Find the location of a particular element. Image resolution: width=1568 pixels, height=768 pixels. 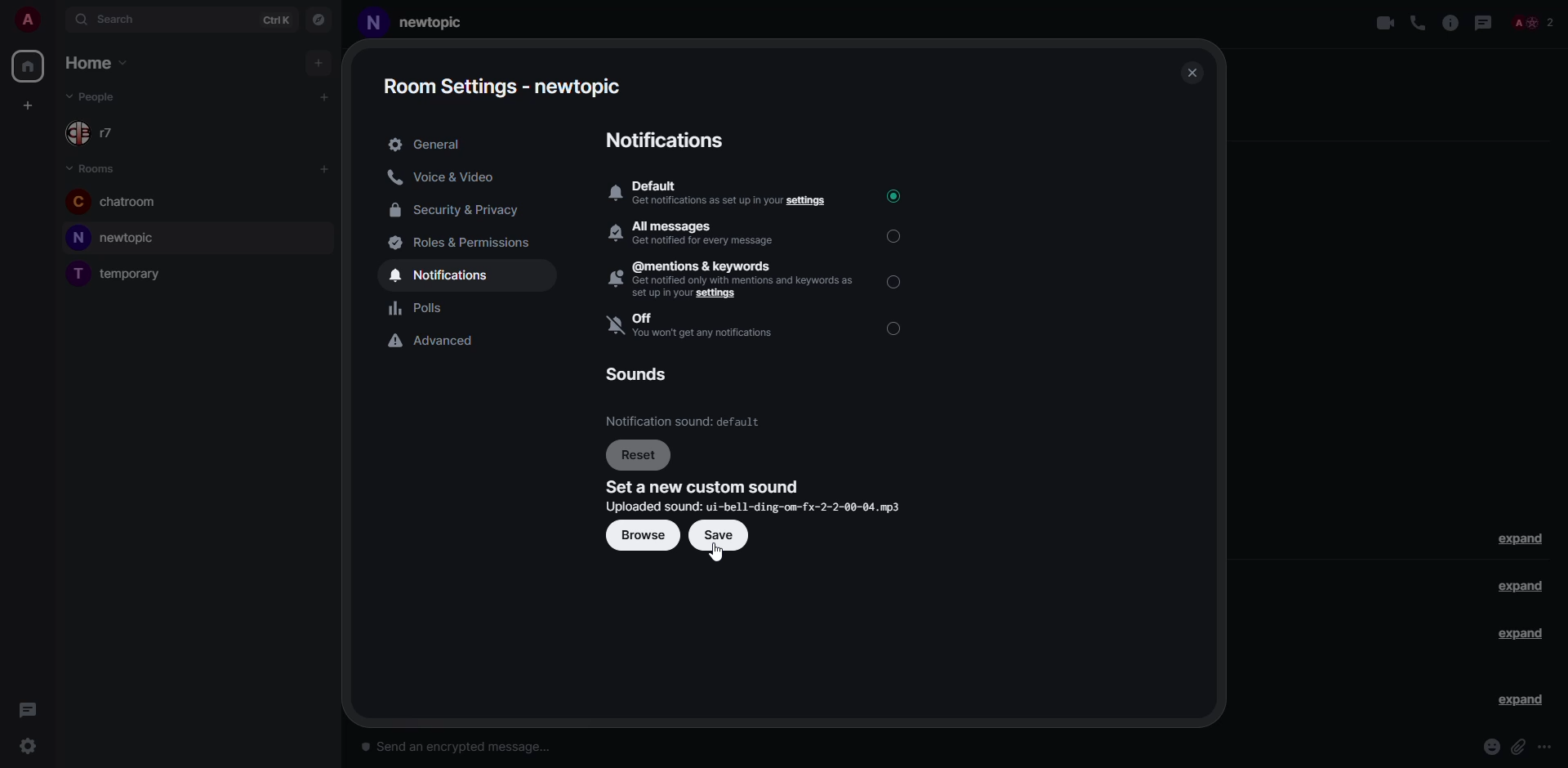

select is located at coordinates (896, 328).